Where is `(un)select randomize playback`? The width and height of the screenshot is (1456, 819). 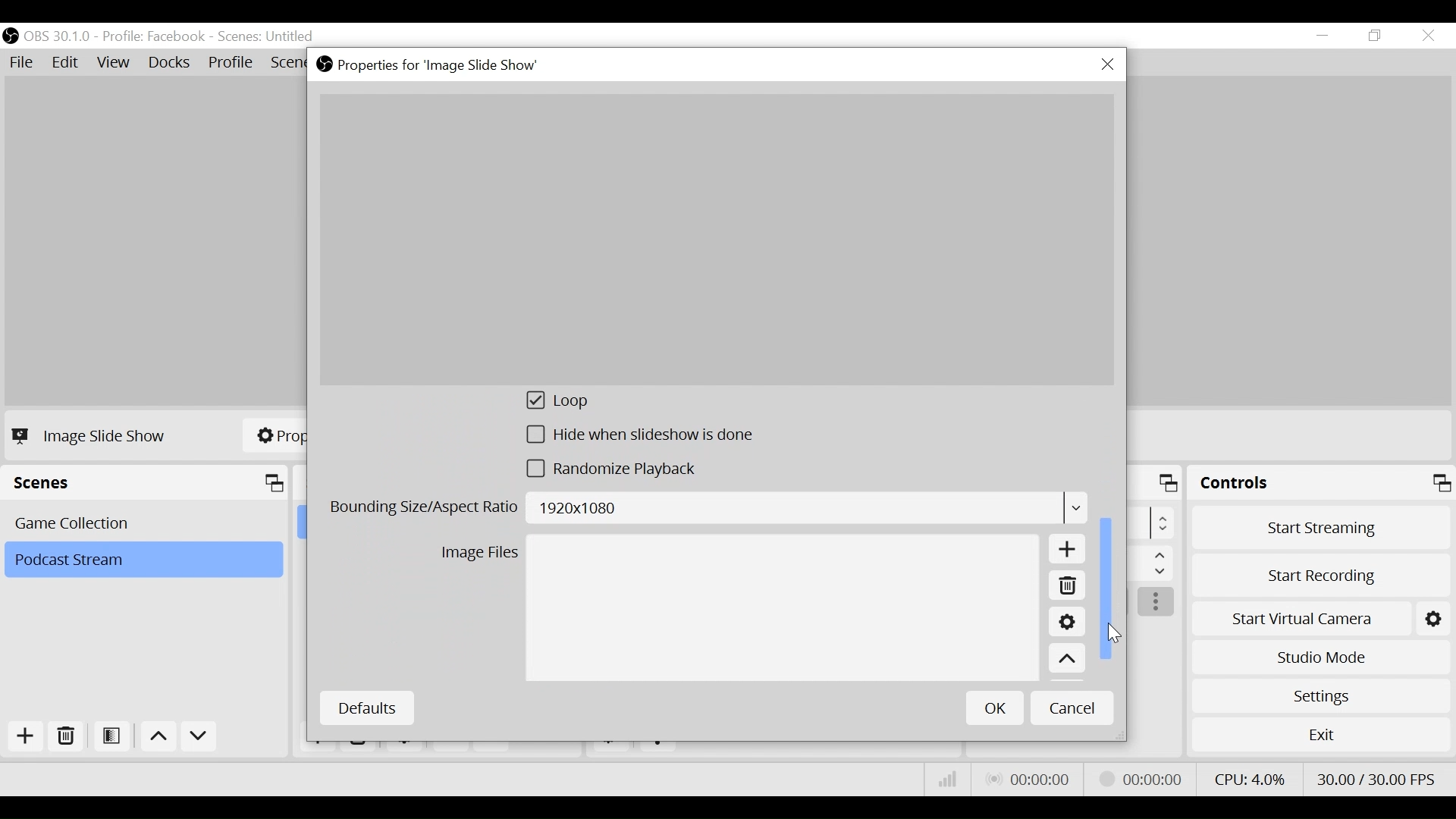 (un)select randomize playback is located at coordinates (620, 470).